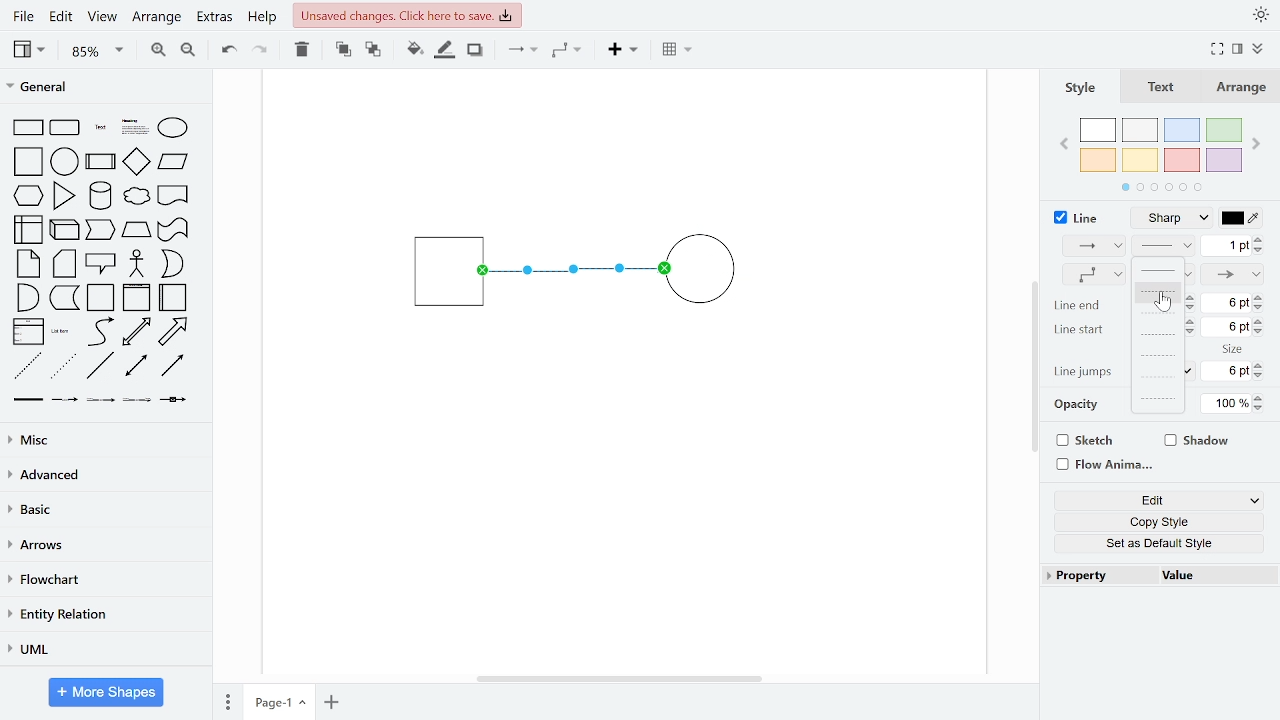  What do you see at coordinates (30, 163) in the screenshot?
I see `square` at bounding box center [30, 163].